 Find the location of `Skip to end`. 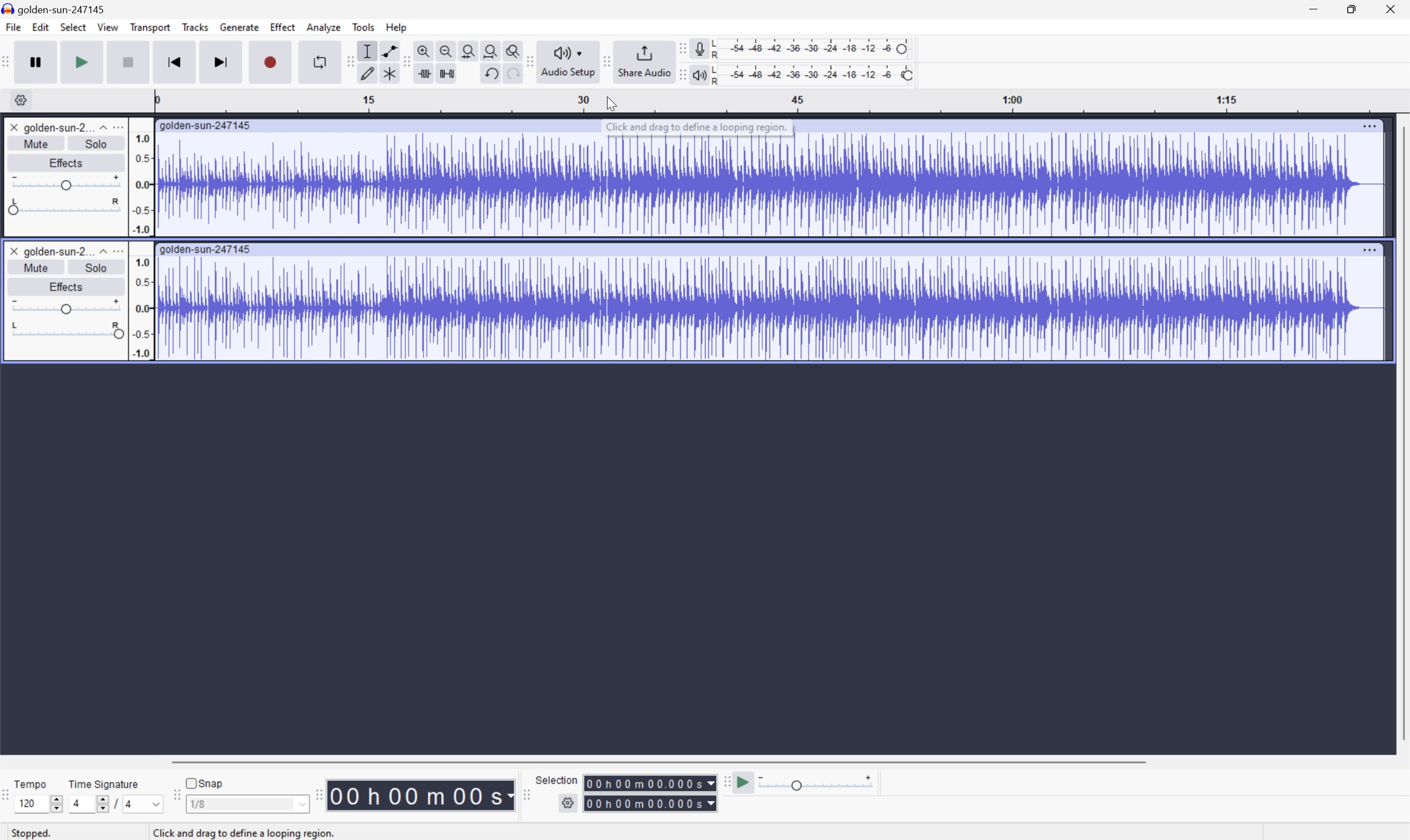

Skip to end is located at coordinates (223, 60).